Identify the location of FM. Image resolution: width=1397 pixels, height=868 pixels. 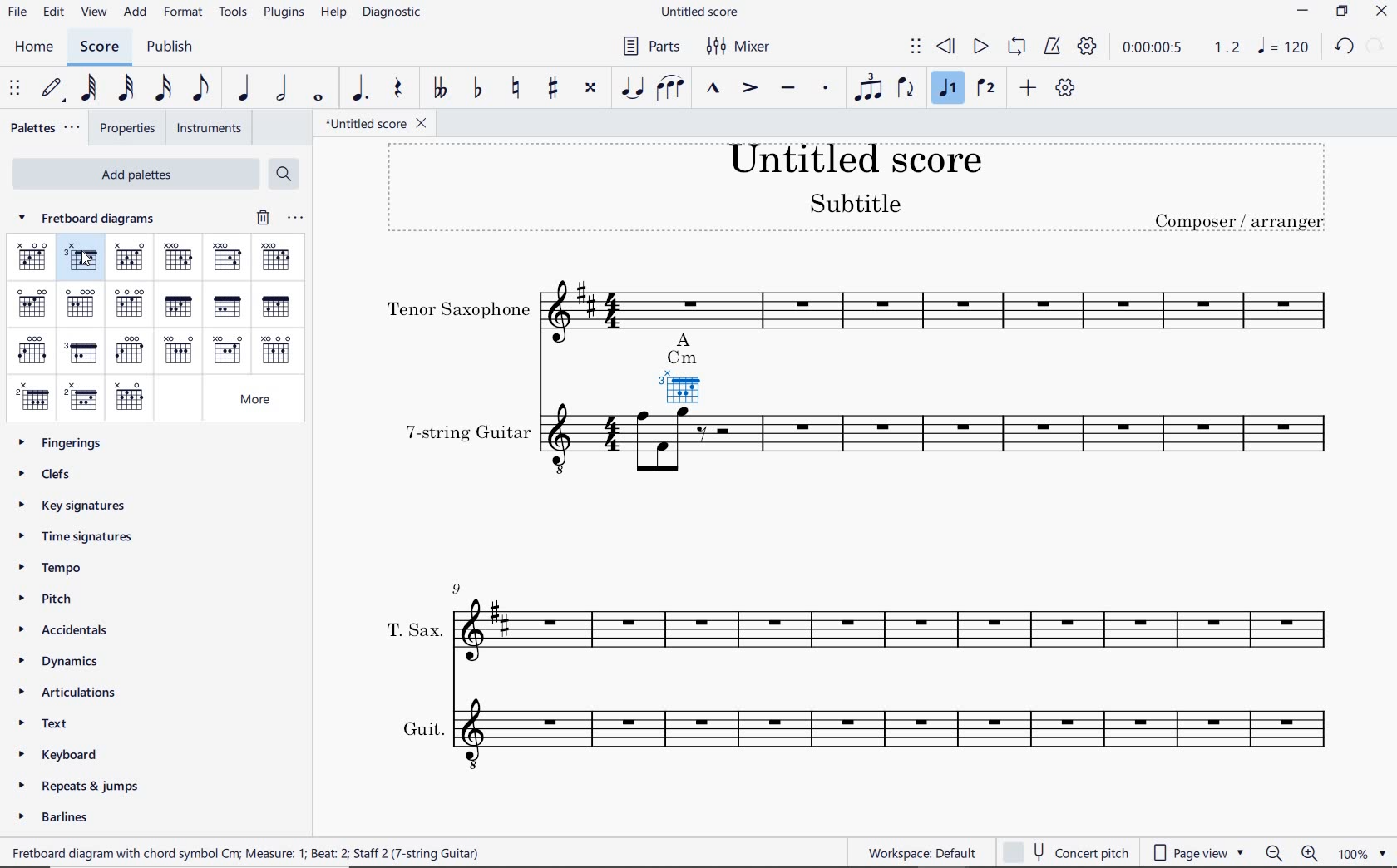
(225, 306).